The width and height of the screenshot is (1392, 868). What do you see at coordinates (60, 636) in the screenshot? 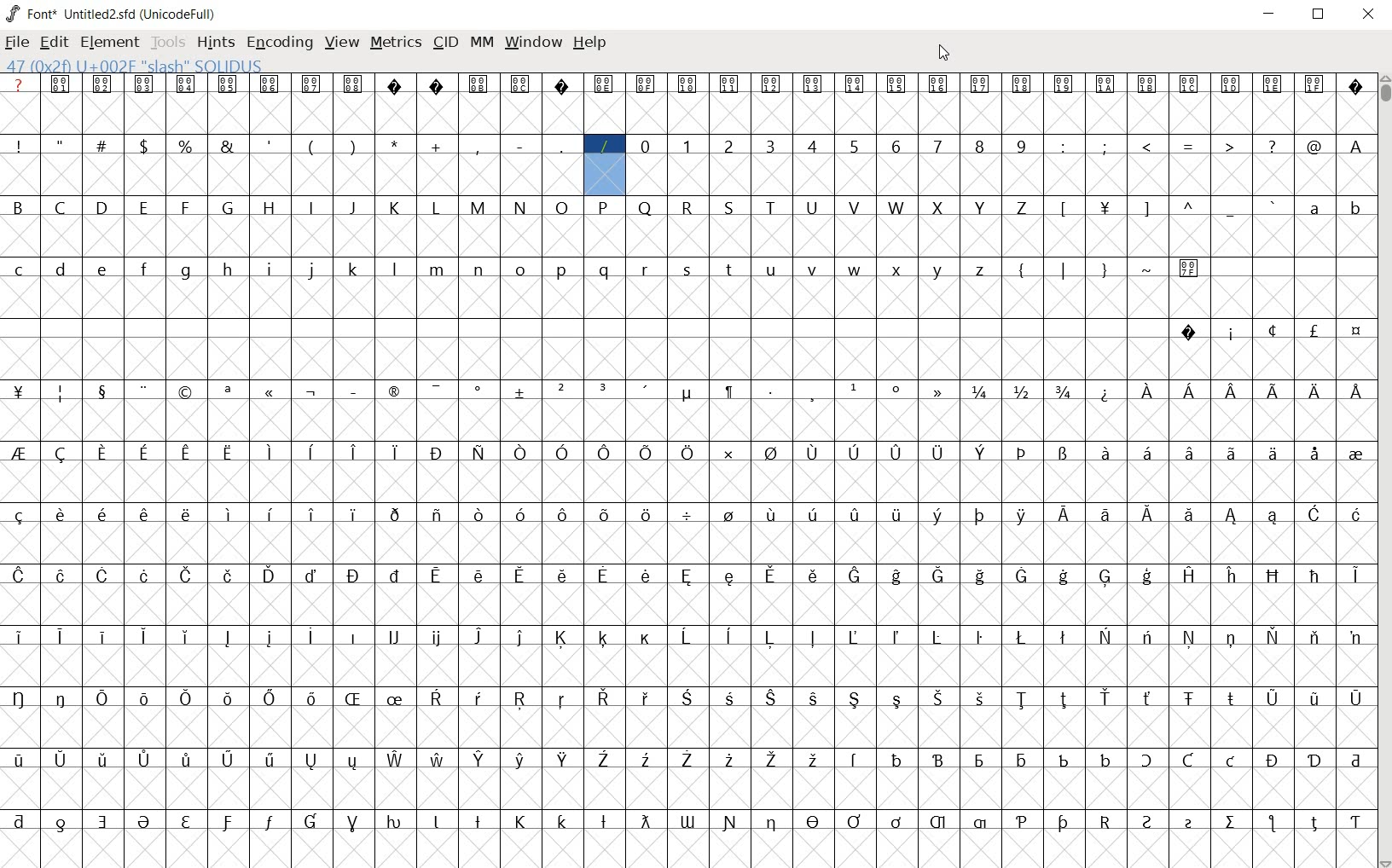
I see `glyph` at bounding box center [60, 636].